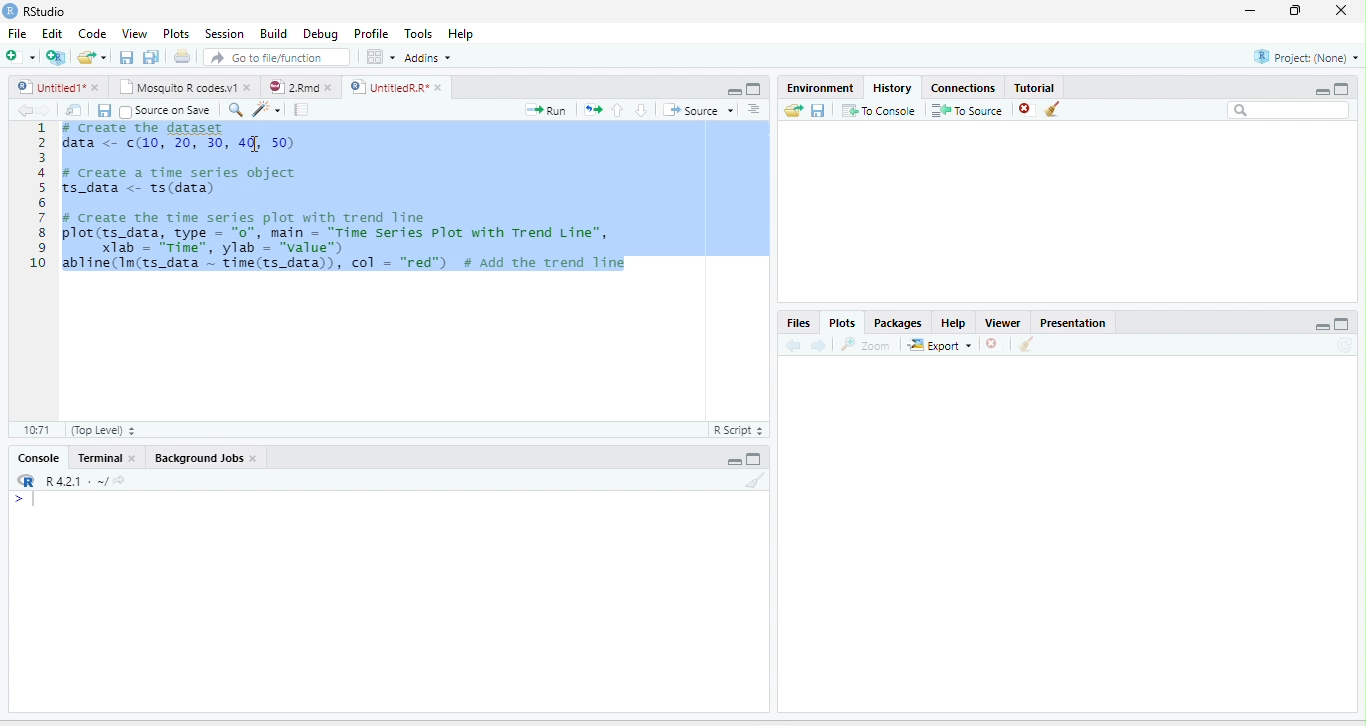  I want to click on Help, so click(460, 33).